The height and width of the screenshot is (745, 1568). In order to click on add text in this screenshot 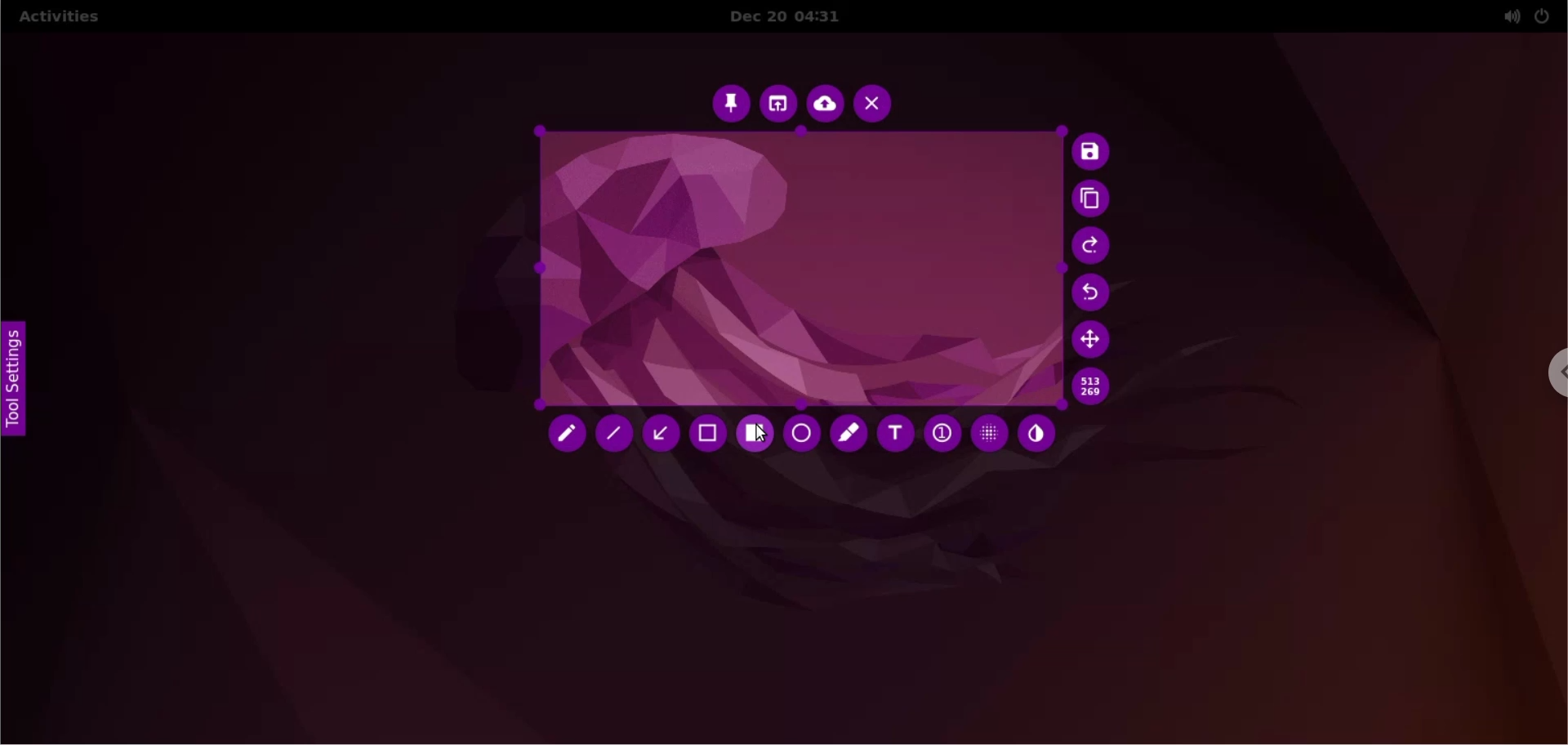, I will do `click(898, 437)`.